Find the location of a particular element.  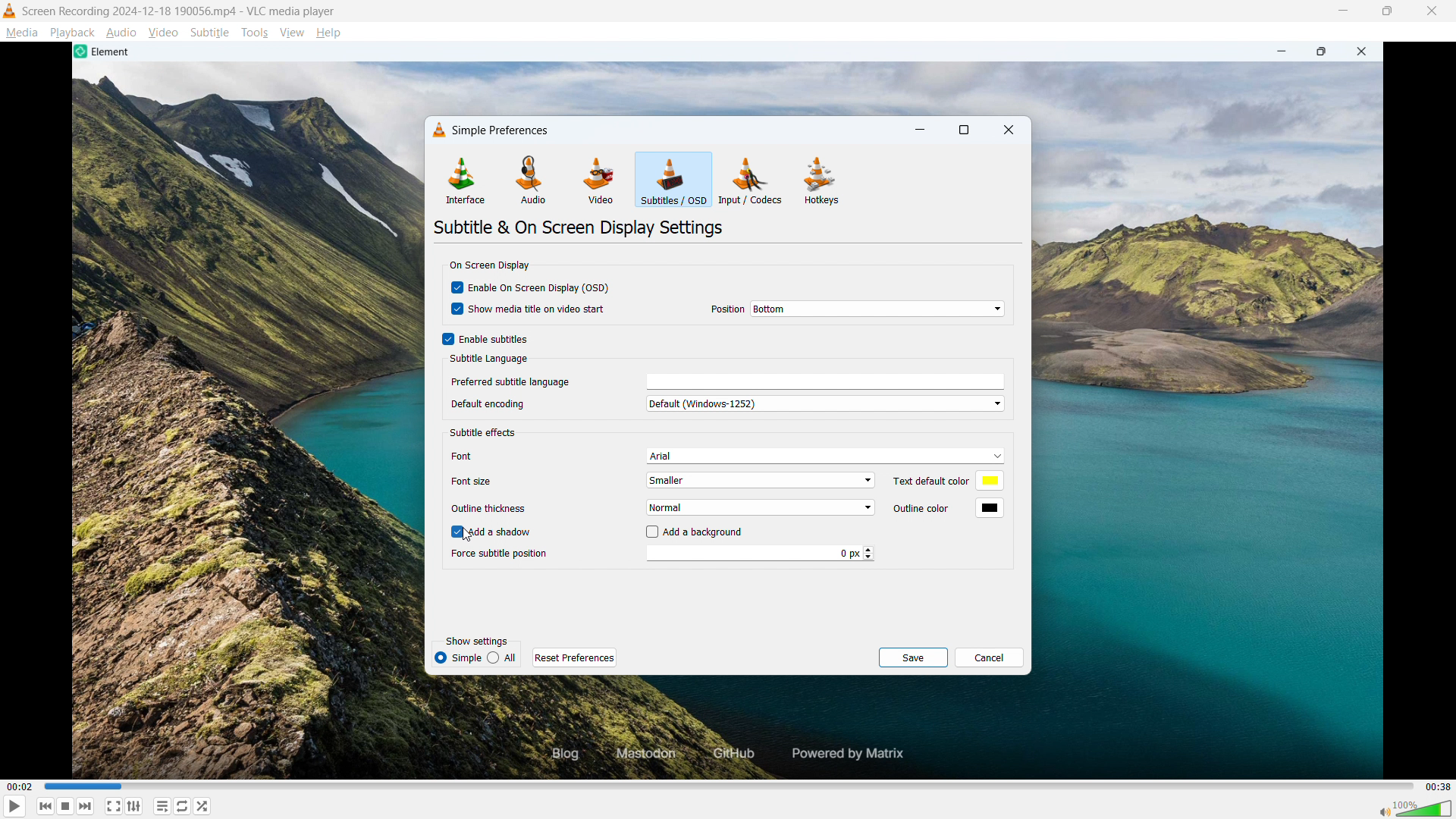

Element is located at coordinates (105, 52).